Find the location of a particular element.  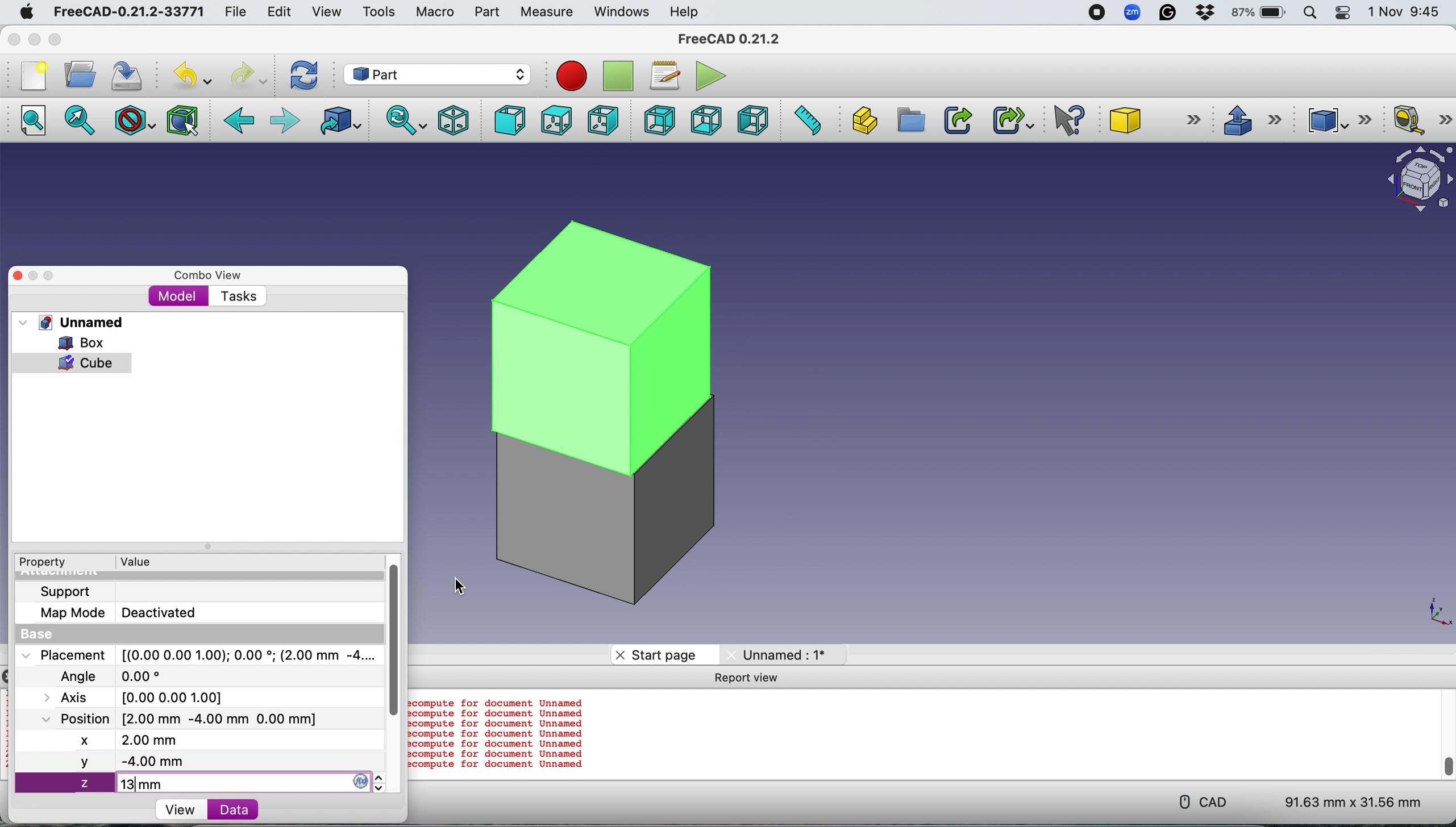

z 13 mm is located at coordinates (199, 783).